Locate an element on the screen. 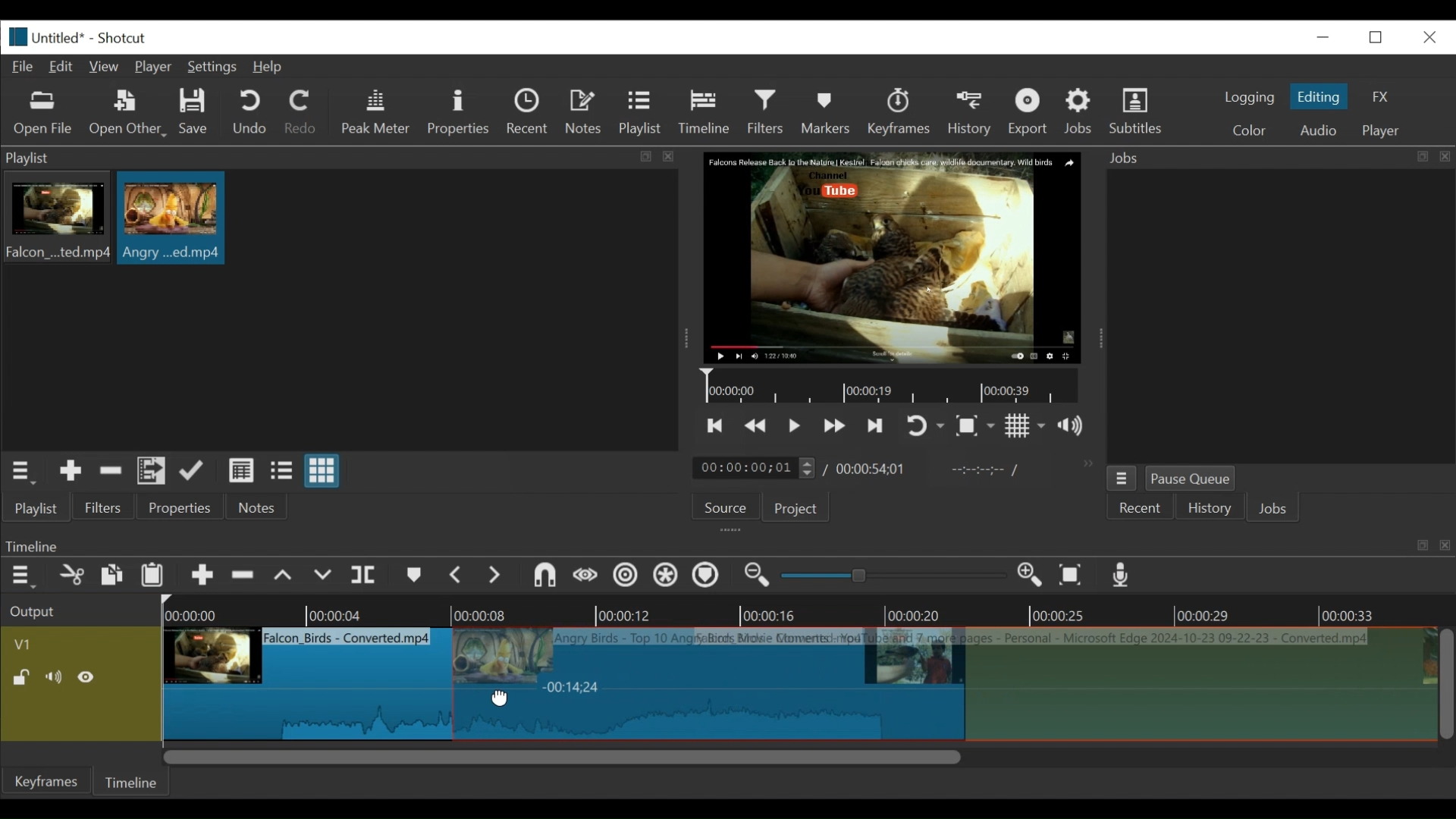 Image resolution: width=1456 pixels, height=819 pixels. Total duration is located at coordinates (876, 469).